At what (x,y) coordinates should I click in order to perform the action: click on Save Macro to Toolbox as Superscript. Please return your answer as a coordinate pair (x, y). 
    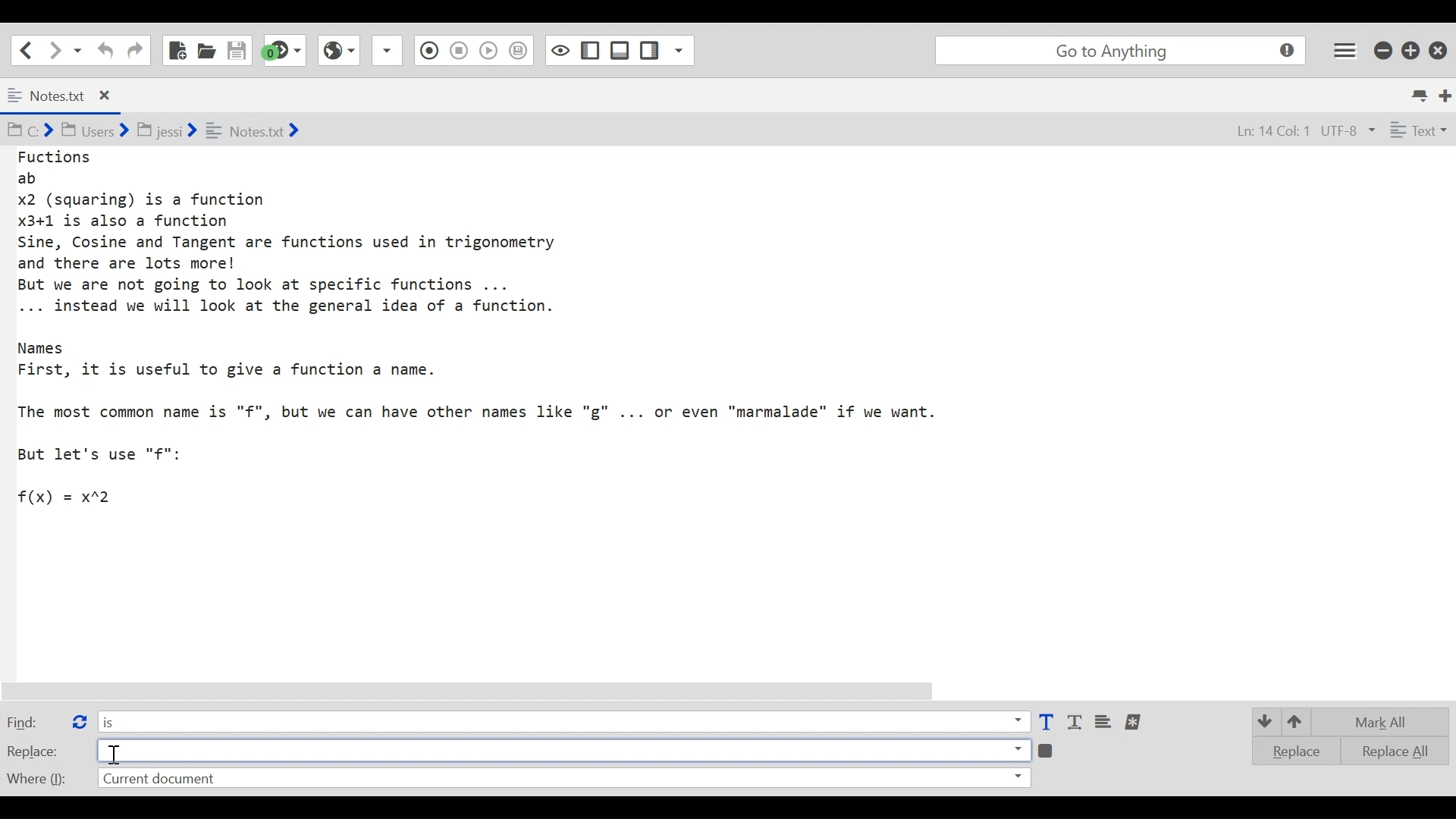
    Looking at the image, I should click on (491, 49).